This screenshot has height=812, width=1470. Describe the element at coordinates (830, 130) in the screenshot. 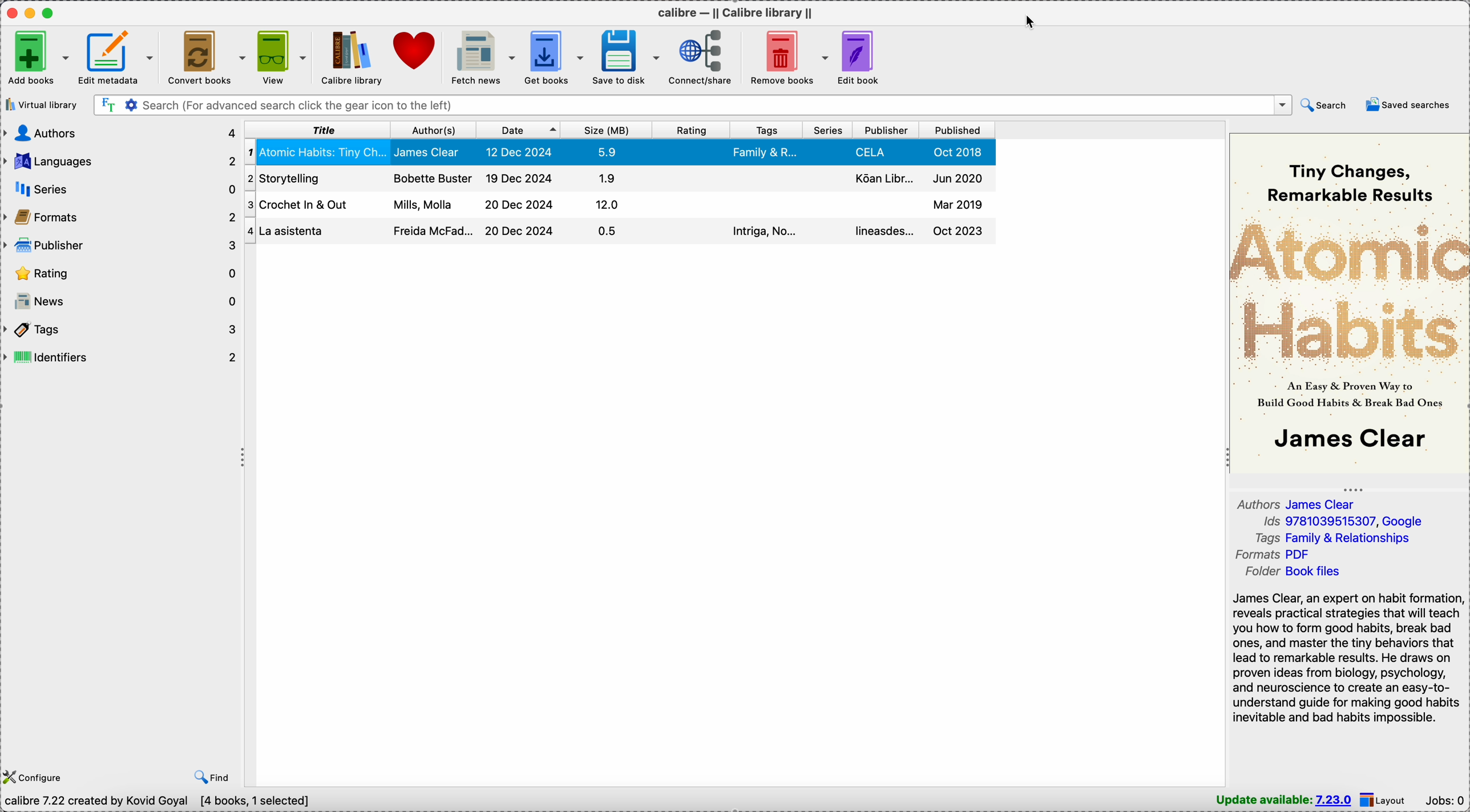

I see `series` at that location.